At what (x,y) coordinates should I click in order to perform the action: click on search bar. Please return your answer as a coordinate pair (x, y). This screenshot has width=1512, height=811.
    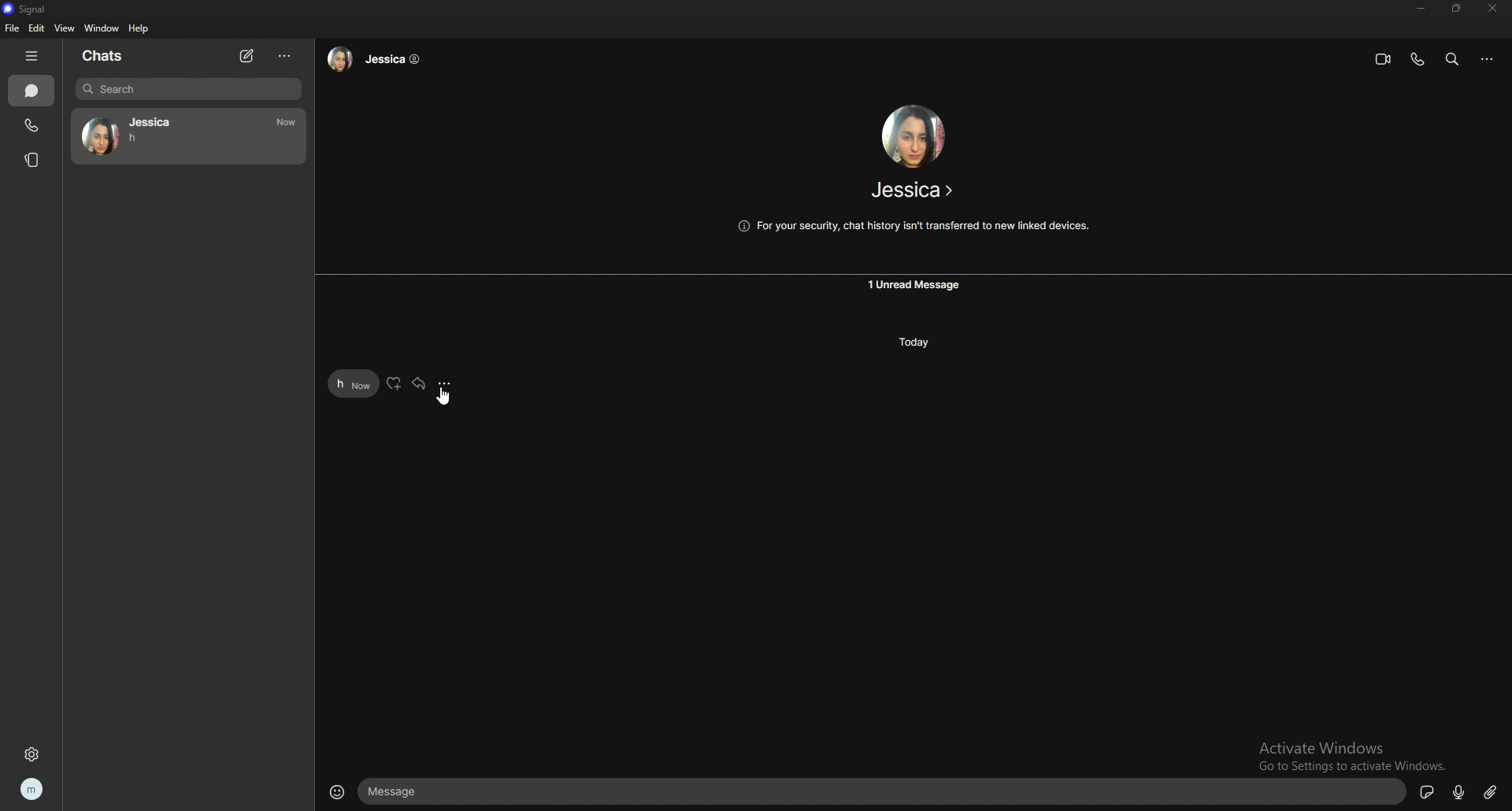
    Looking at the image, I should click on (188, 90).